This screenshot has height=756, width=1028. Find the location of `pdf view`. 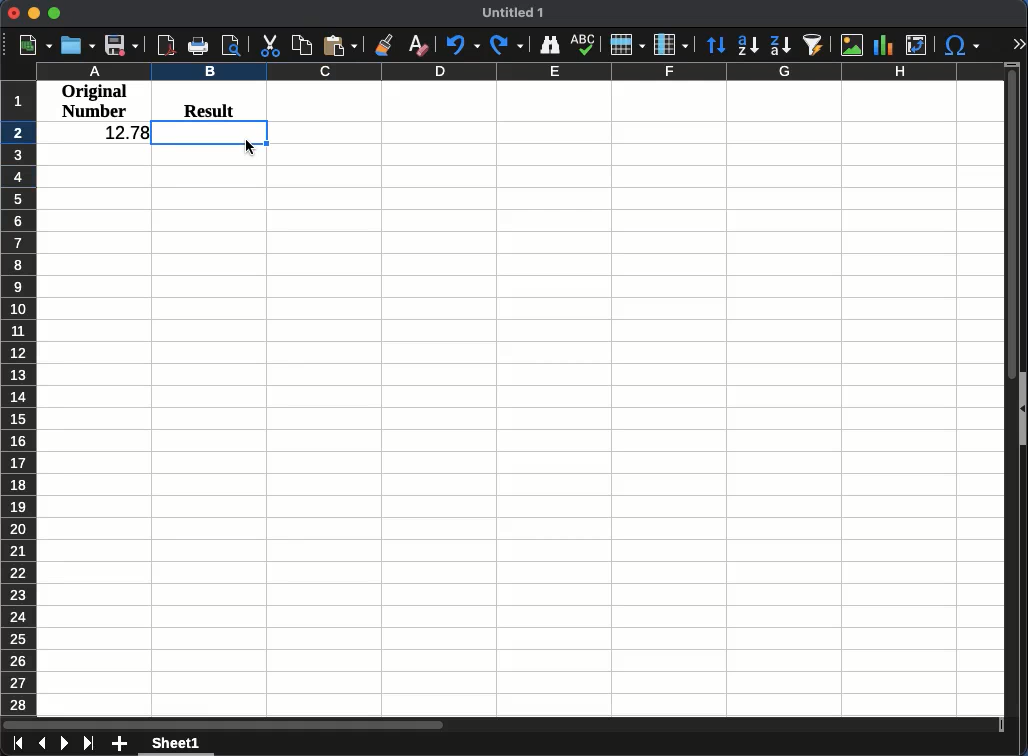

pdf view is located at coordinates (166, 44).